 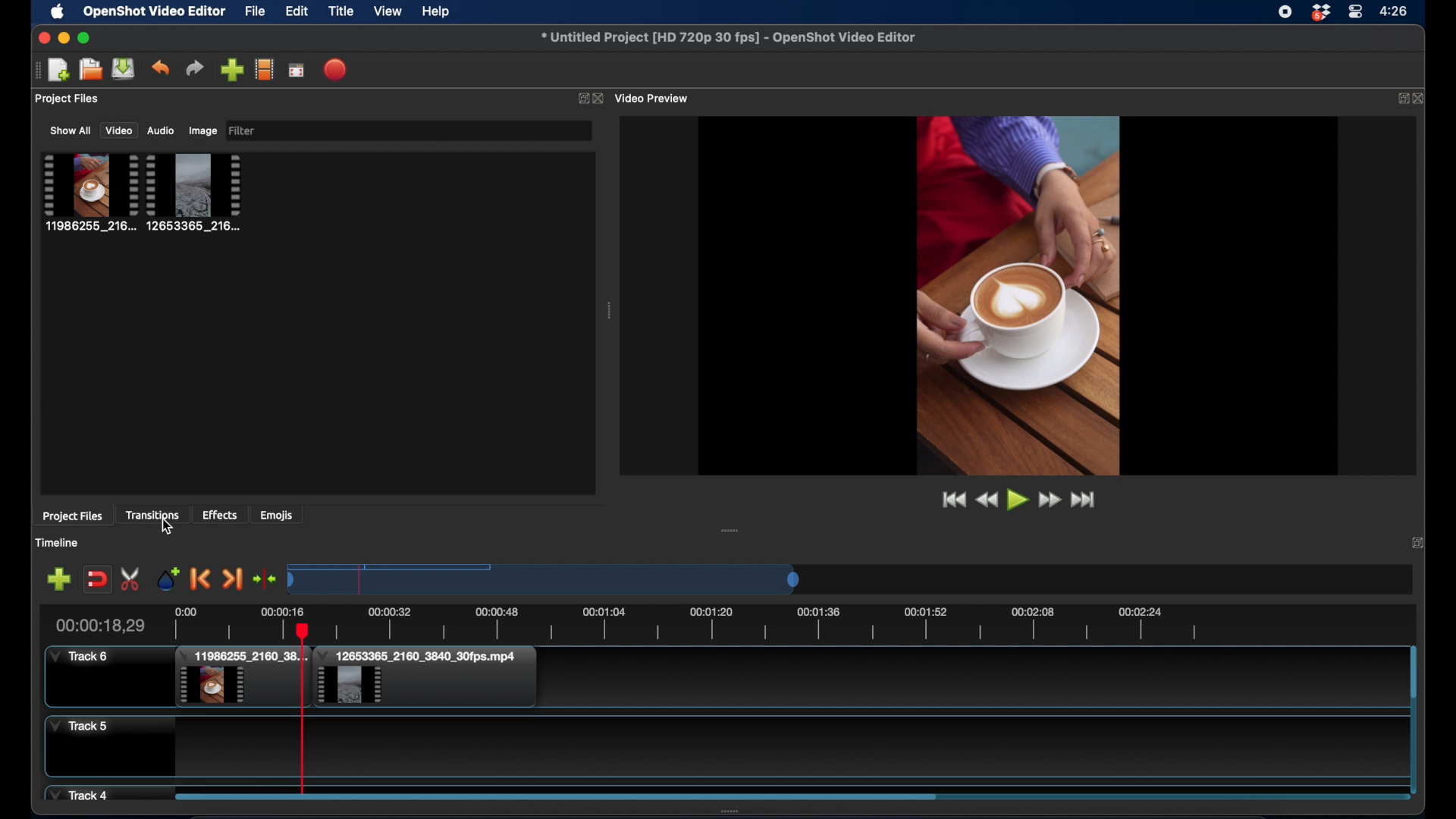 What do you see at coordinates (81, 793) in the screenshot?
I see `track 4` at bounding box center [81, 793].